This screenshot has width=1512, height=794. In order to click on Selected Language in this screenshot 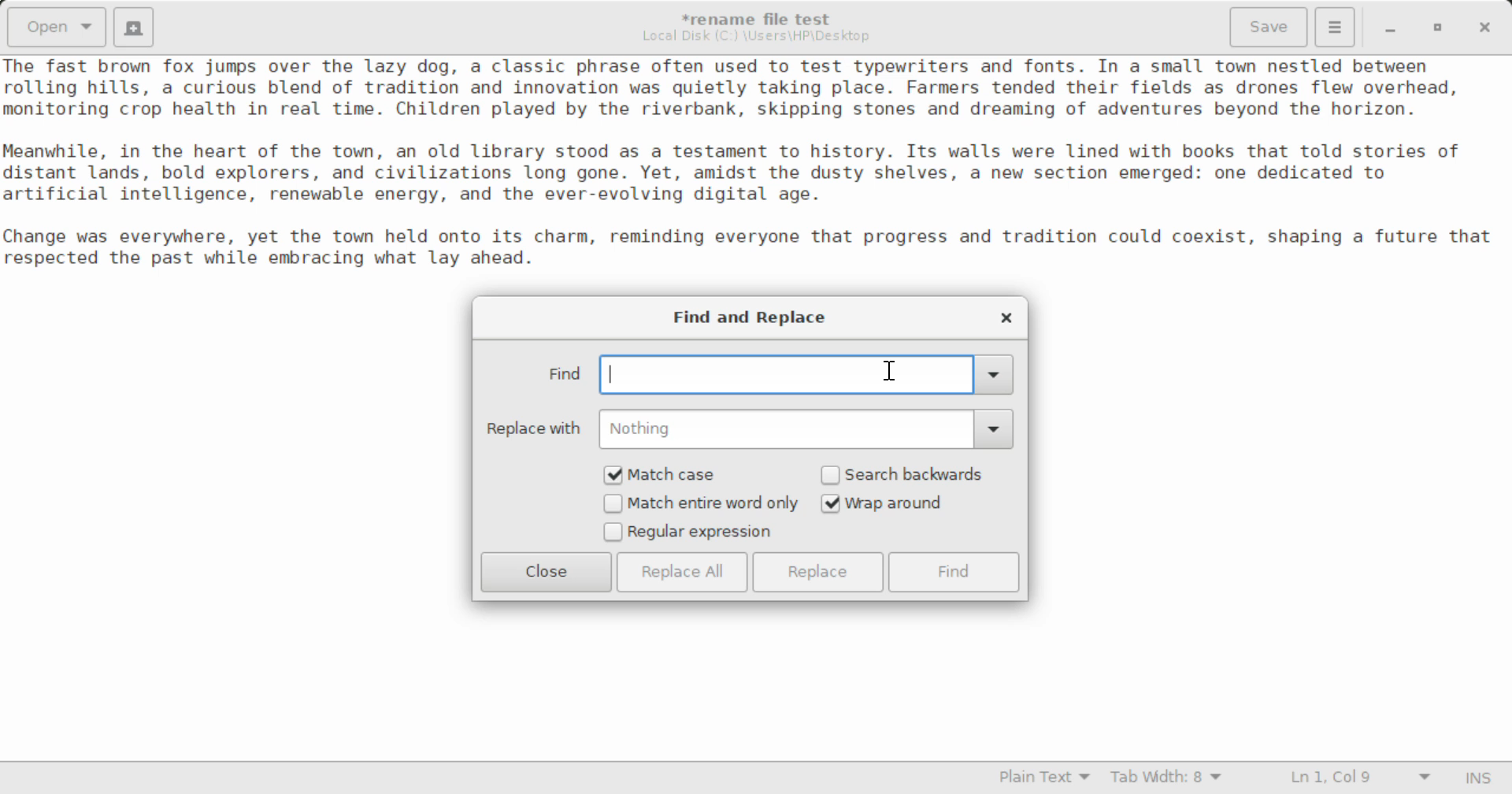, I will do `click(1036, 779)`.